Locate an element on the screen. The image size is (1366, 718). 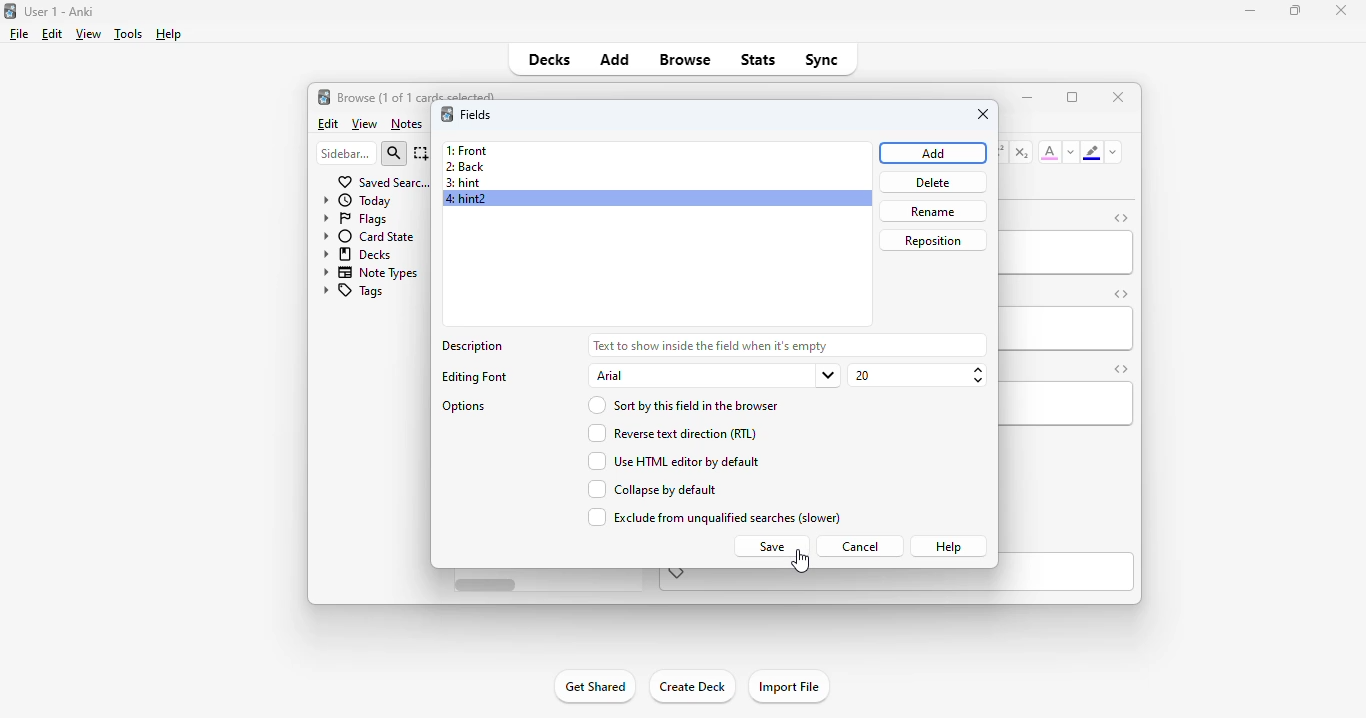
1: front is located at coordinates (469, 151).